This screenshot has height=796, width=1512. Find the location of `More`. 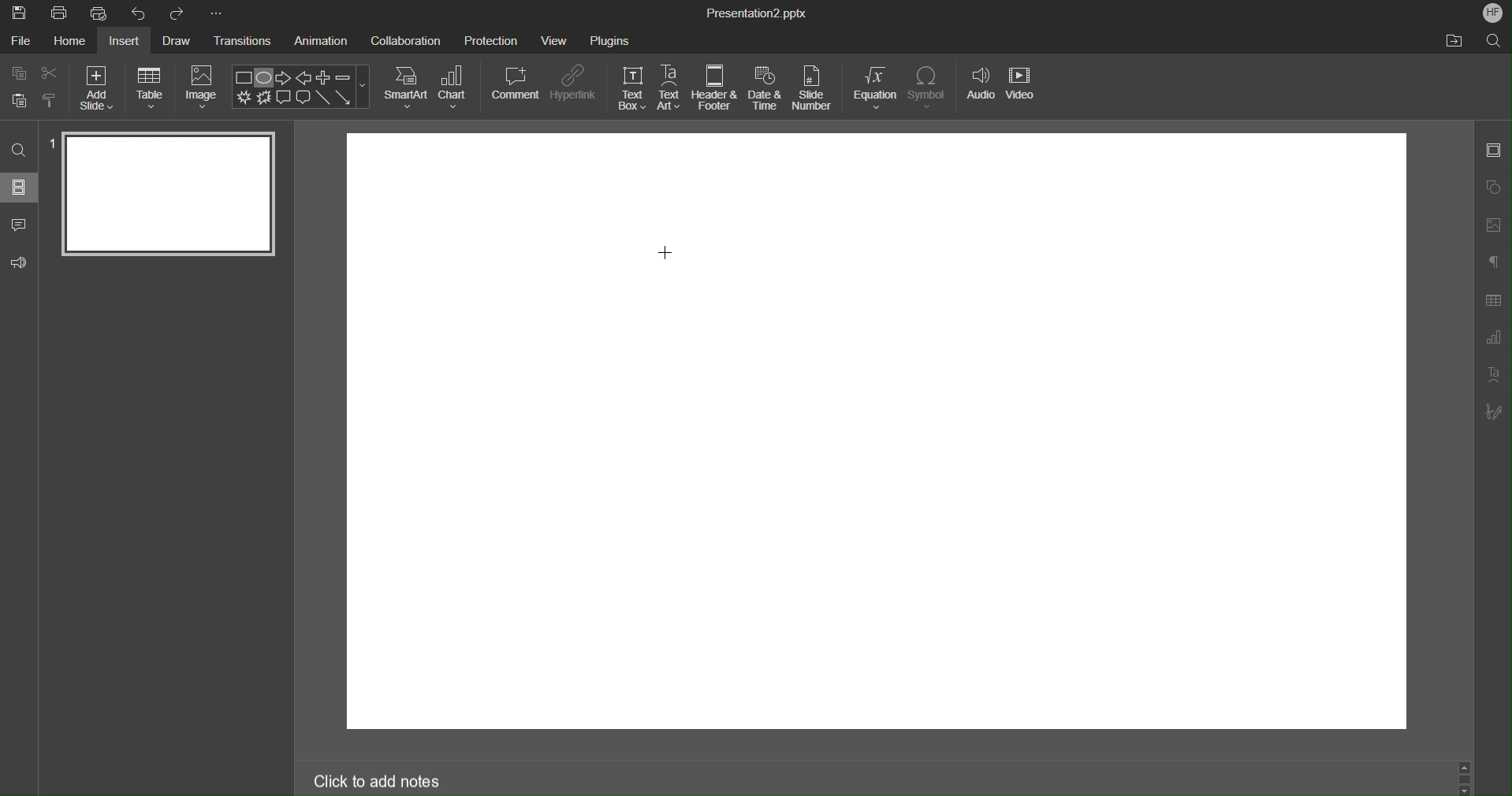

More is located at coordinates (216, 13).